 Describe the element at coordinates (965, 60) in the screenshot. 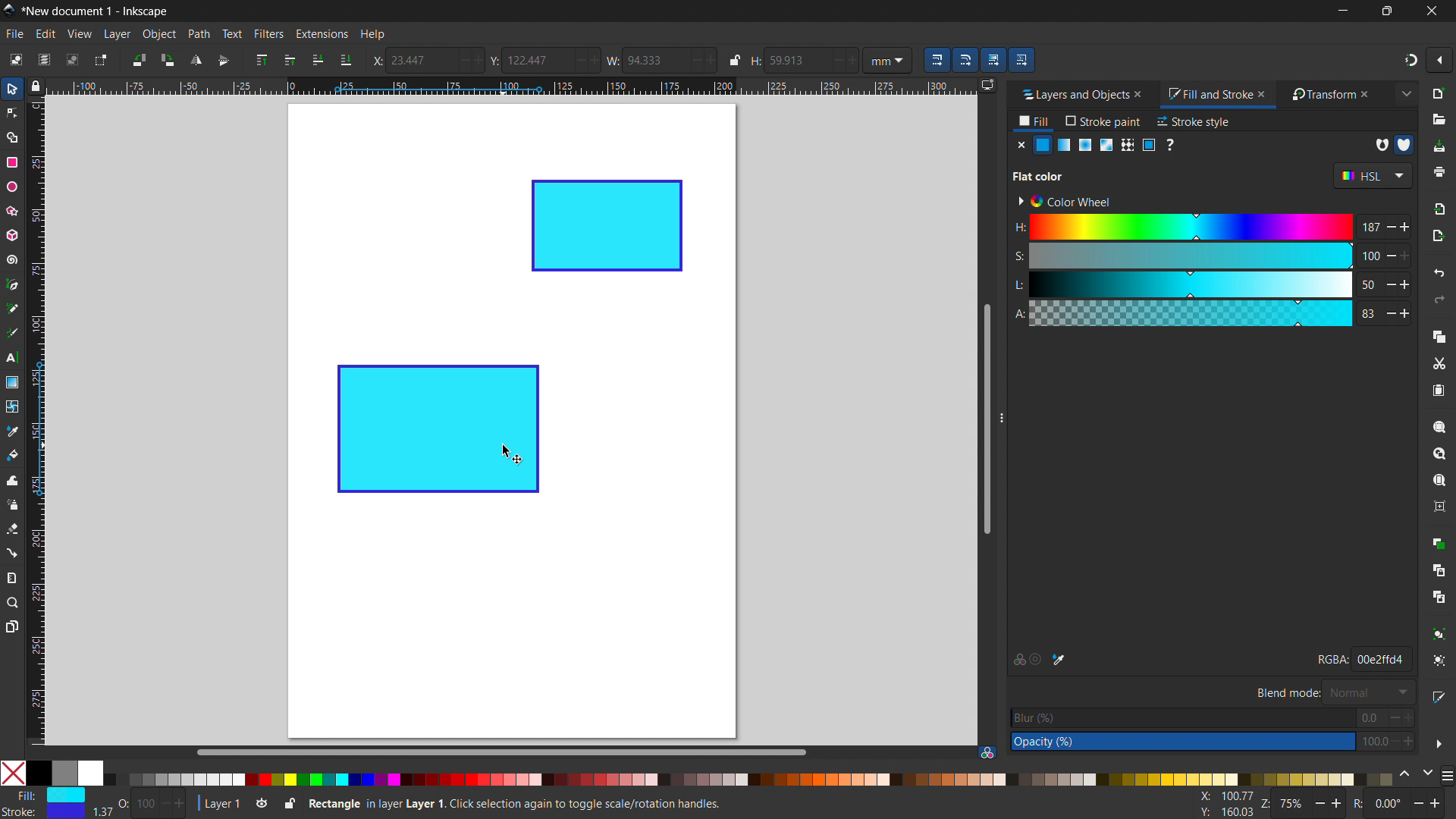

I see `when scaling rectangle, scale the radii of the rounded corners` at that location.